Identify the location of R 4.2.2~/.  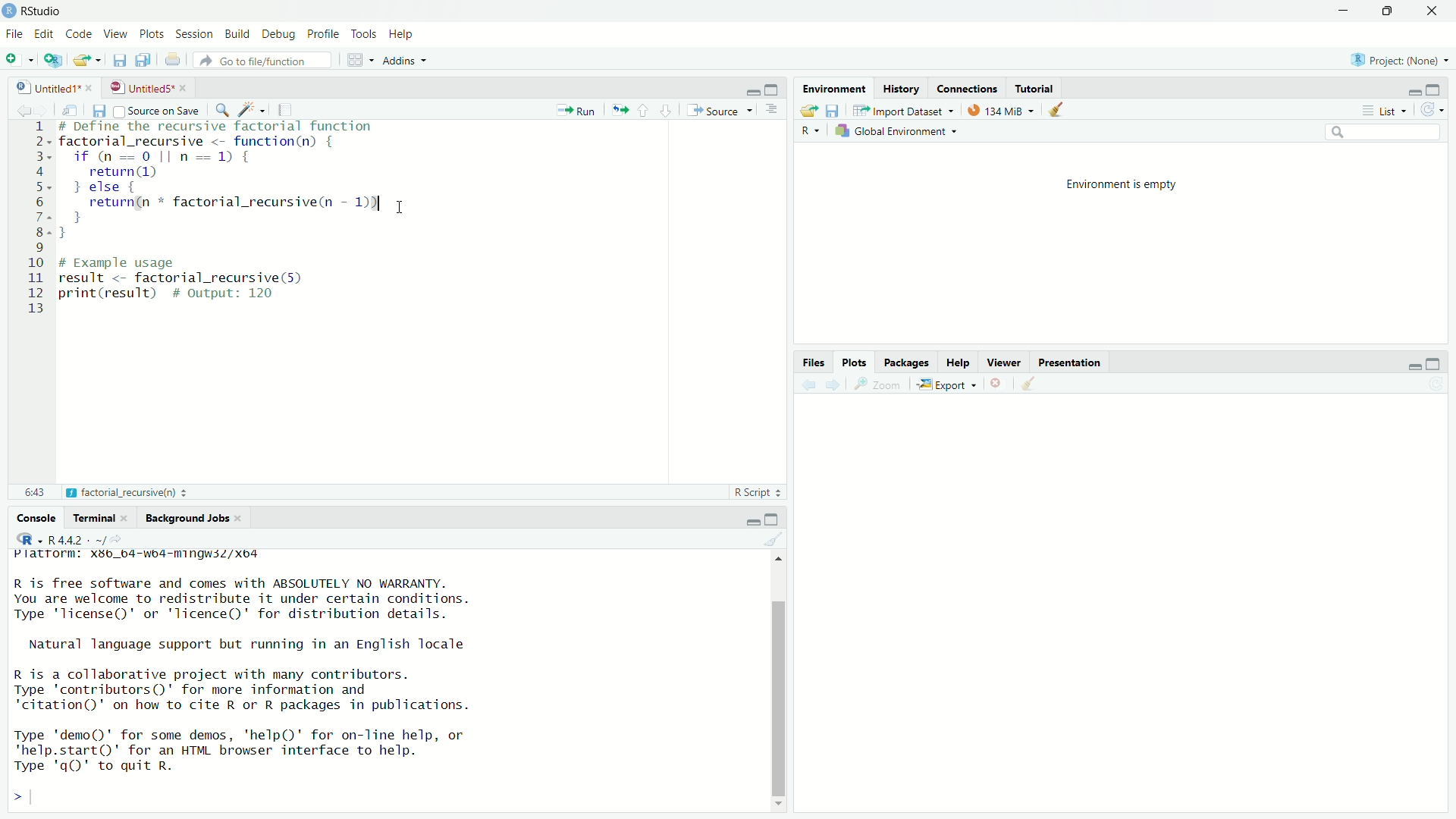
(74, 539).